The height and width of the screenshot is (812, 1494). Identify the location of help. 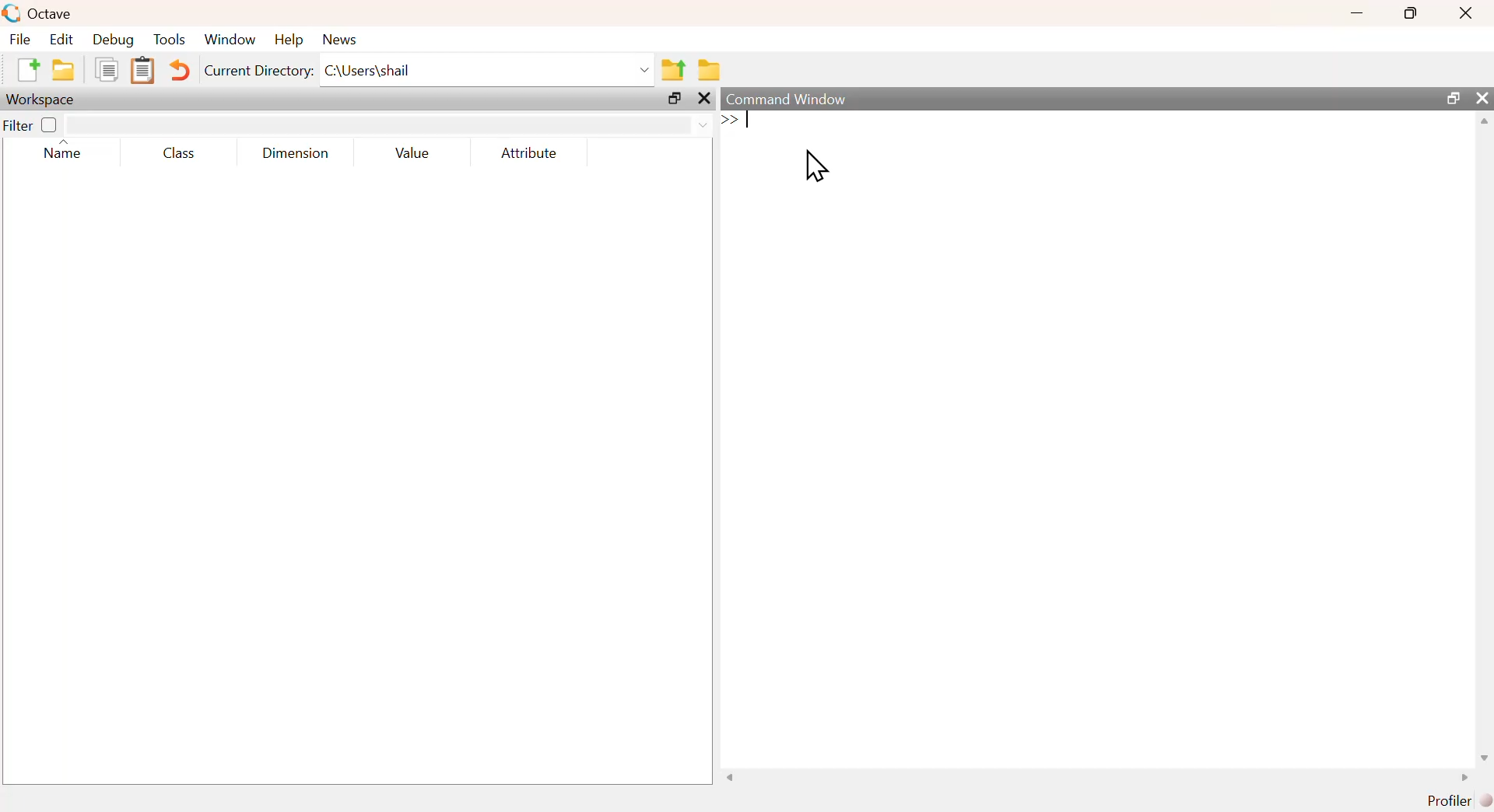
(288, 38).